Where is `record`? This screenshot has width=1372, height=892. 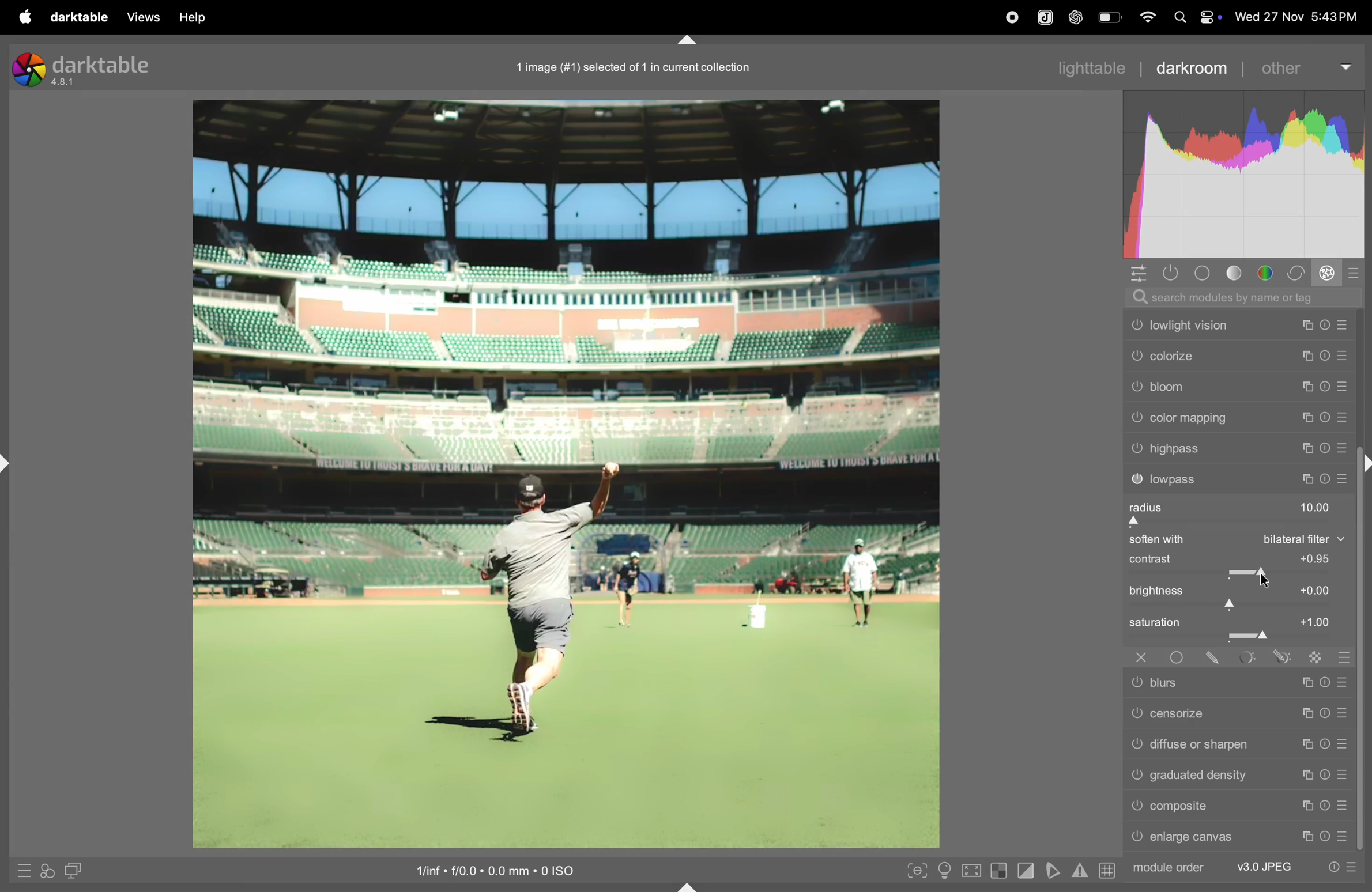
record is located at coordinates (1009, 17).